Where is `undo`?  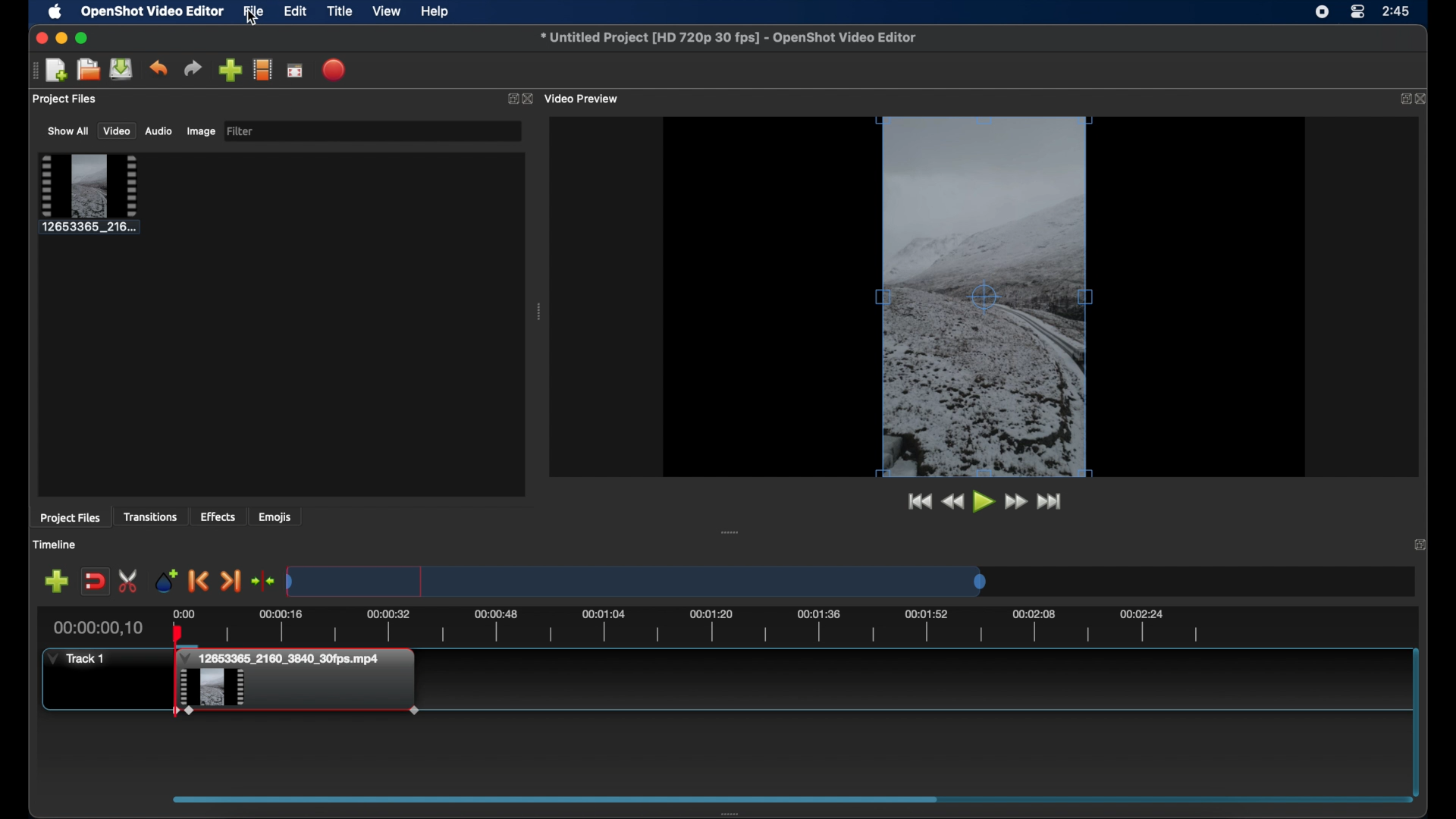
undo is located at coordinates (158, 68).